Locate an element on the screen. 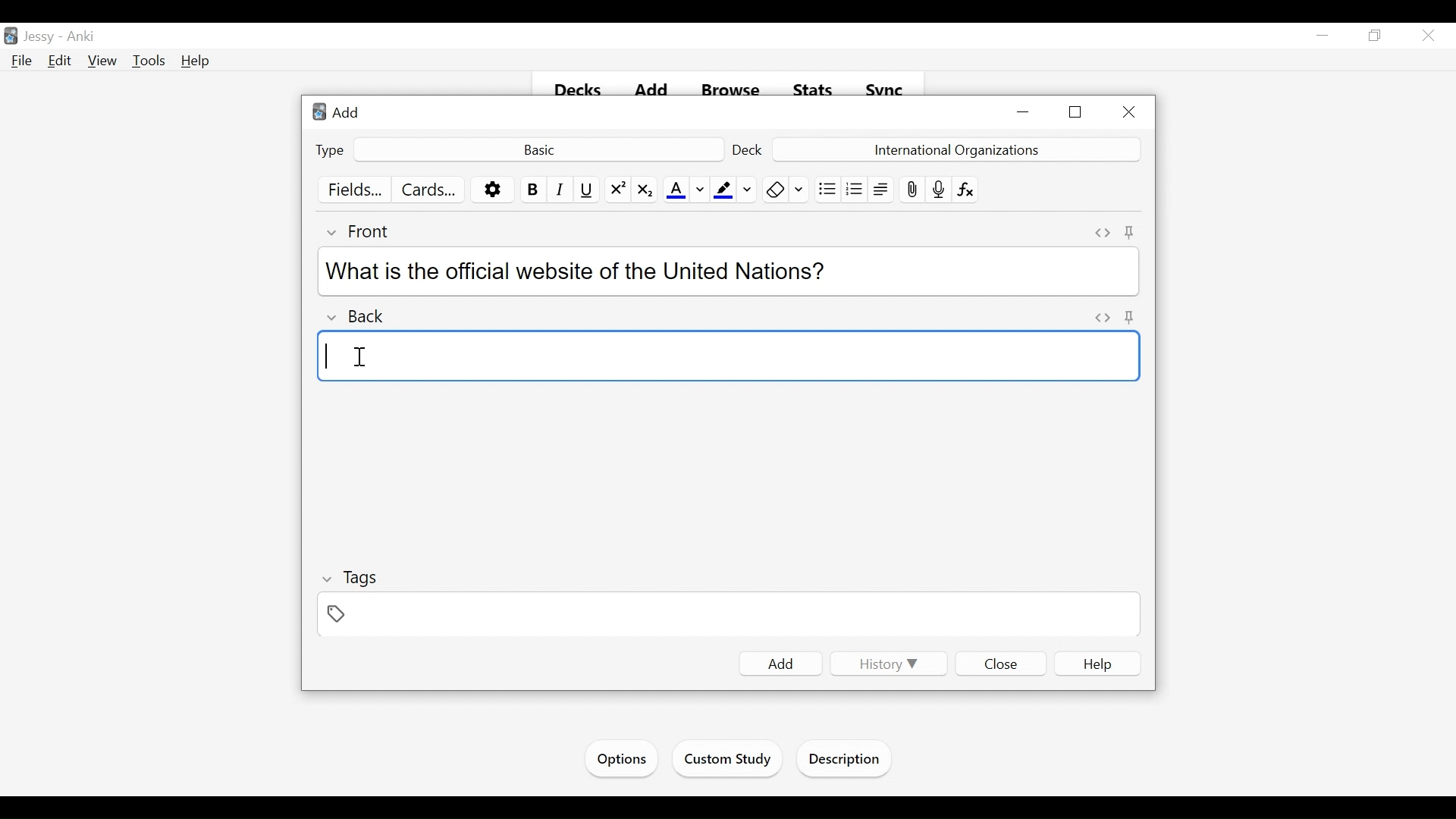 This screenshot has height=819, width=1456. Basic is located at coordinates (540, 149).